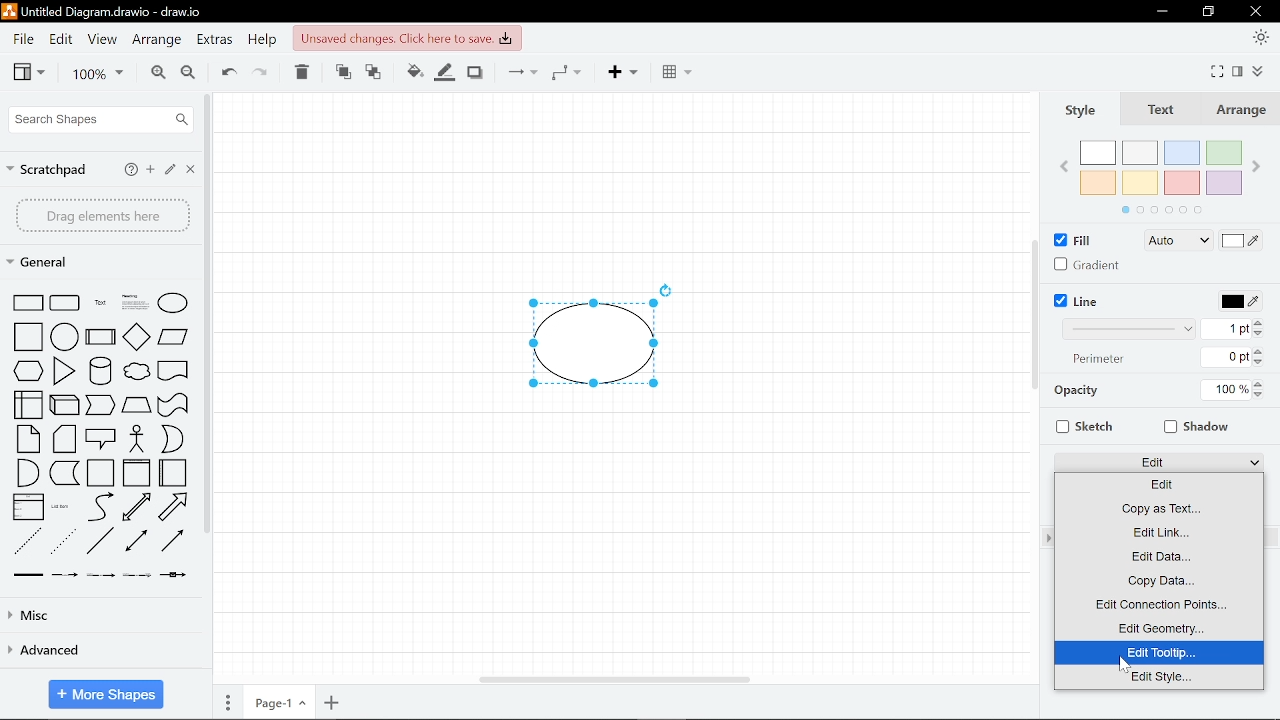  I want to click on Edit data, so click(1159, 556).